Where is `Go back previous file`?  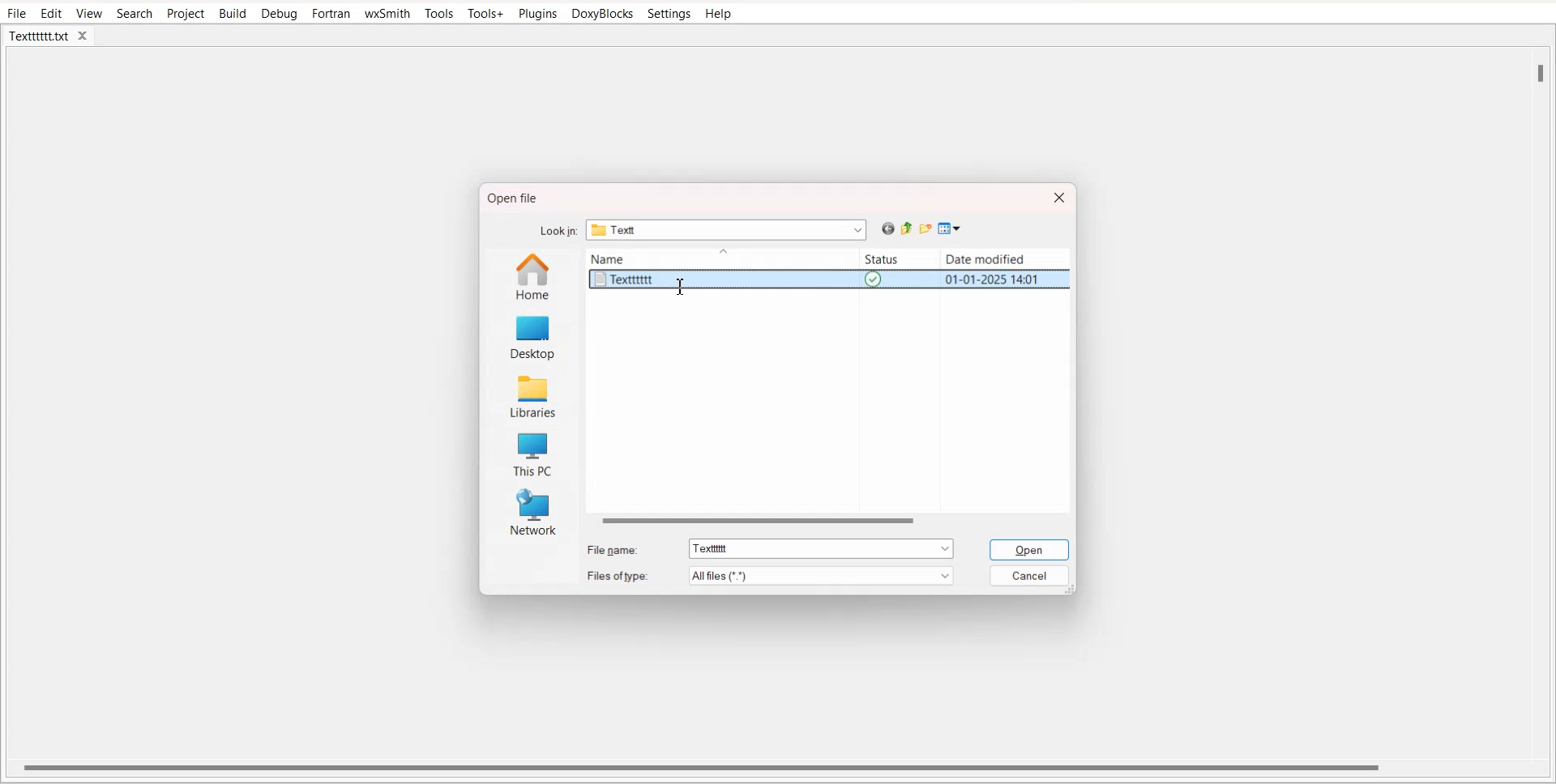
Go back previous file is located at coordinates (888, 228).